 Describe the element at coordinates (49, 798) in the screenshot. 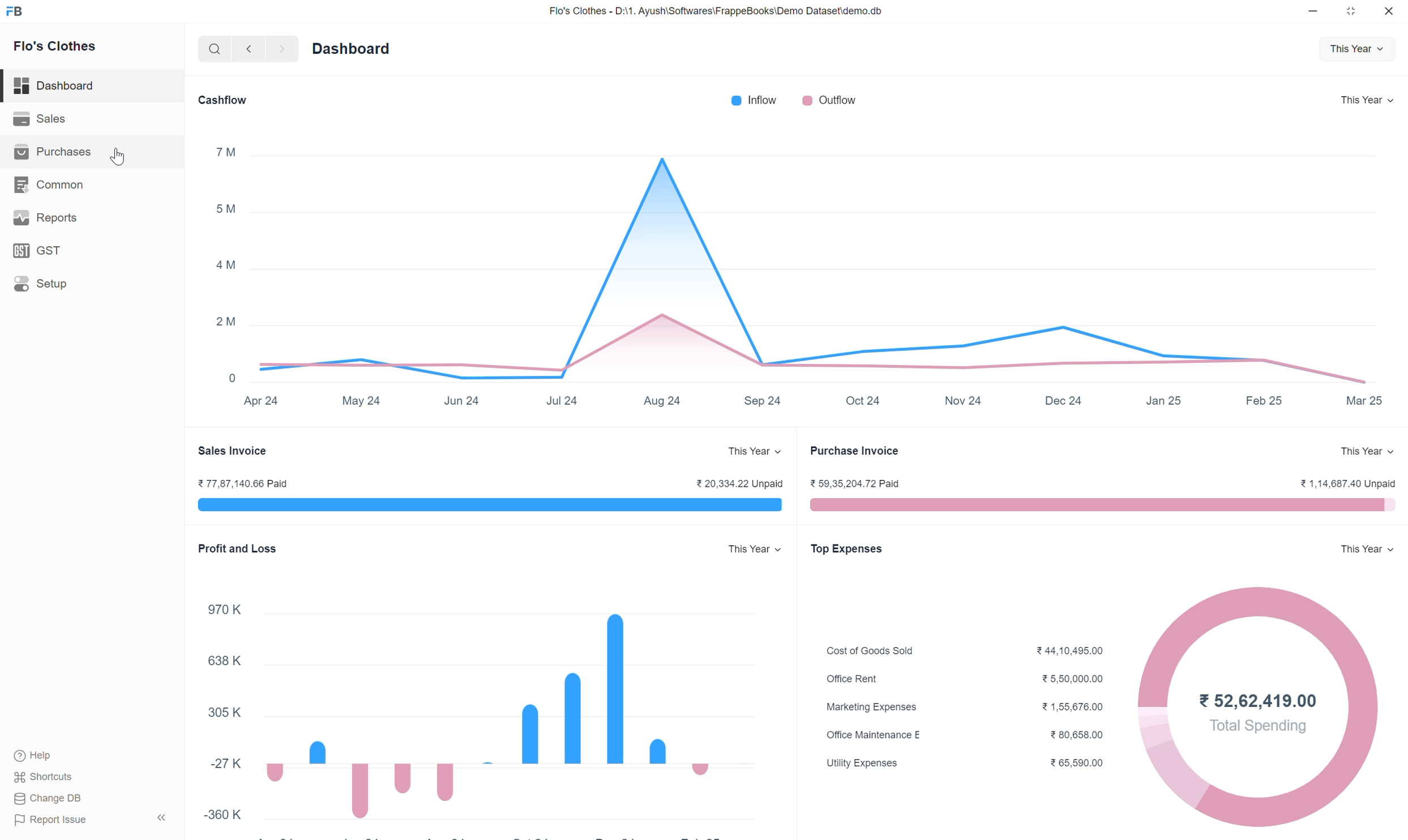

I see `Change DB` at that location.